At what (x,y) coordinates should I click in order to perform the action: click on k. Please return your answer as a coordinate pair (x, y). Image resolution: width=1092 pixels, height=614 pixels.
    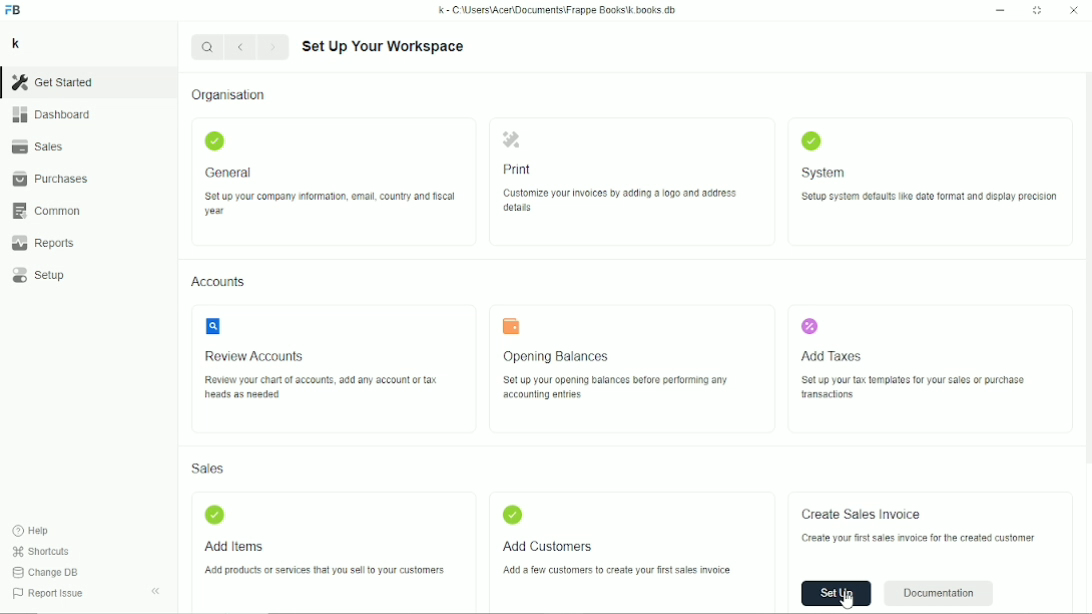
    Looking at the image, I should click on (15, 43).